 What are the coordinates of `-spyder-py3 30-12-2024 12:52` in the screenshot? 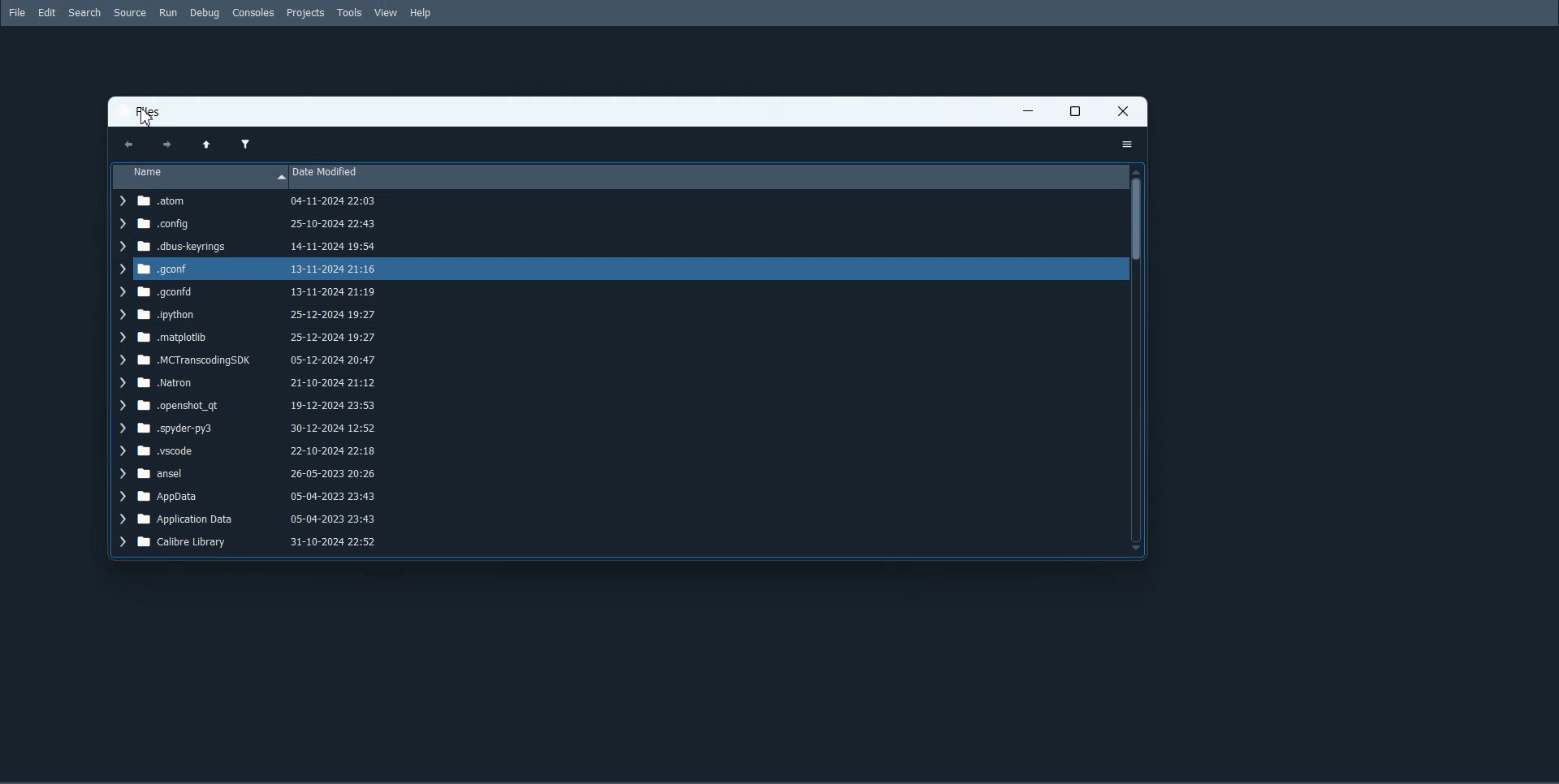 It's located at (250, 431).